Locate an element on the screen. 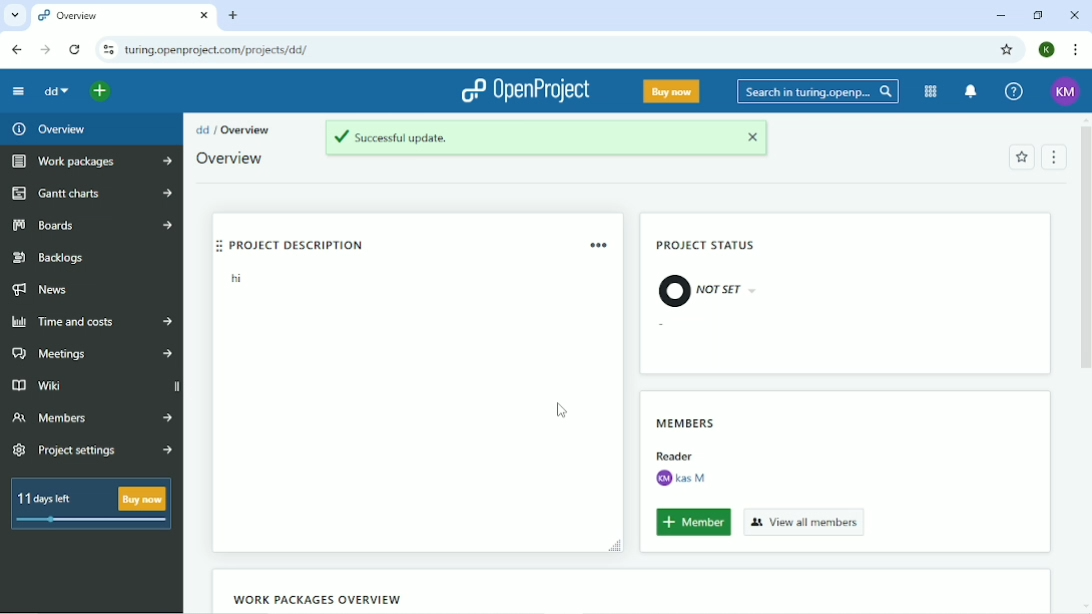 This screenshot has width=1092, height=614. Overwiew is located at coordinates (236, 159).